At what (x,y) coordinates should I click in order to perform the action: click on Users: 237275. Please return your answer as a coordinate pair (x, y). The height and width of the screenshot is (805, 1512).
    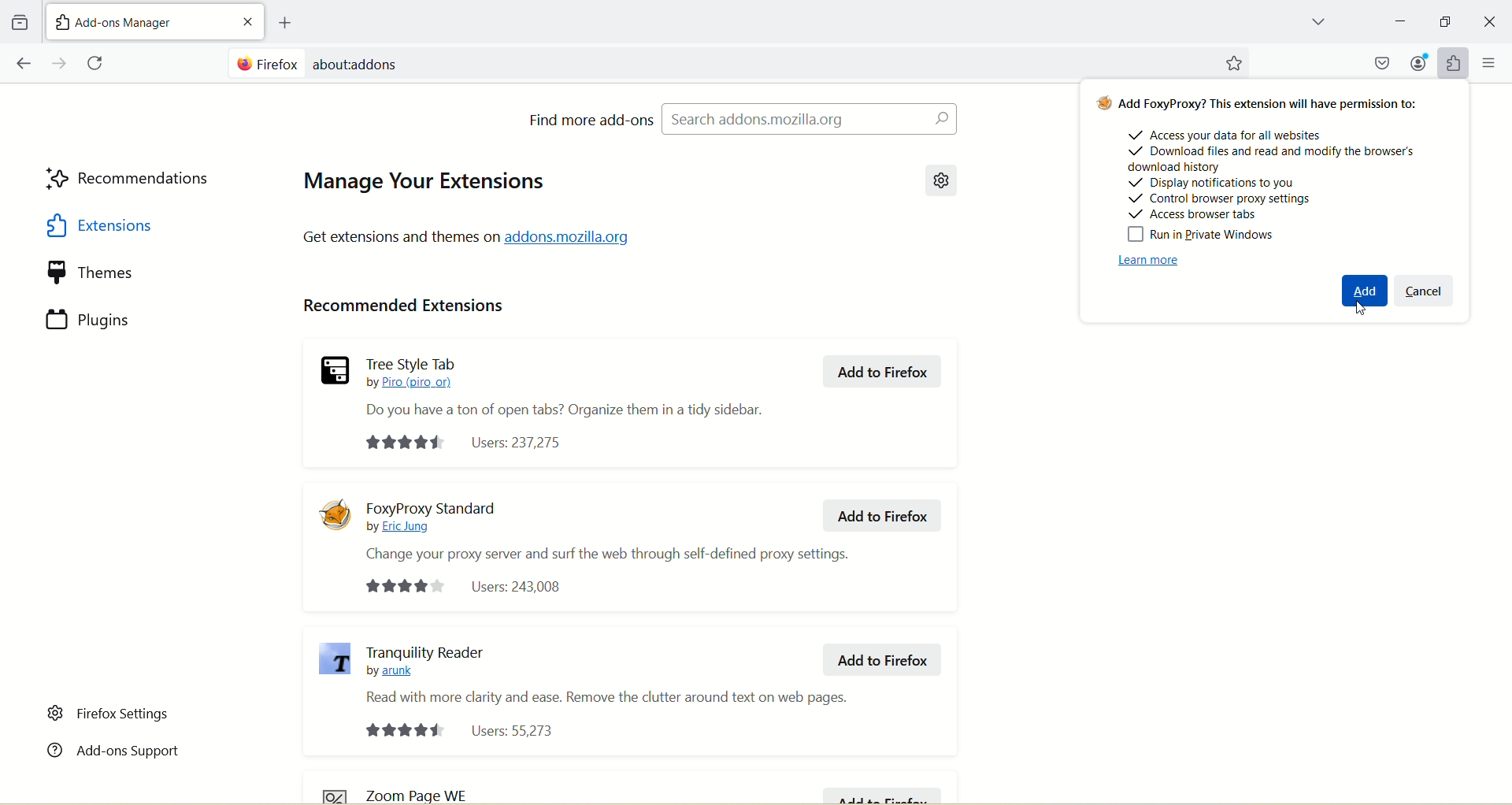
    Looking at the image, I should click on (465, 443).